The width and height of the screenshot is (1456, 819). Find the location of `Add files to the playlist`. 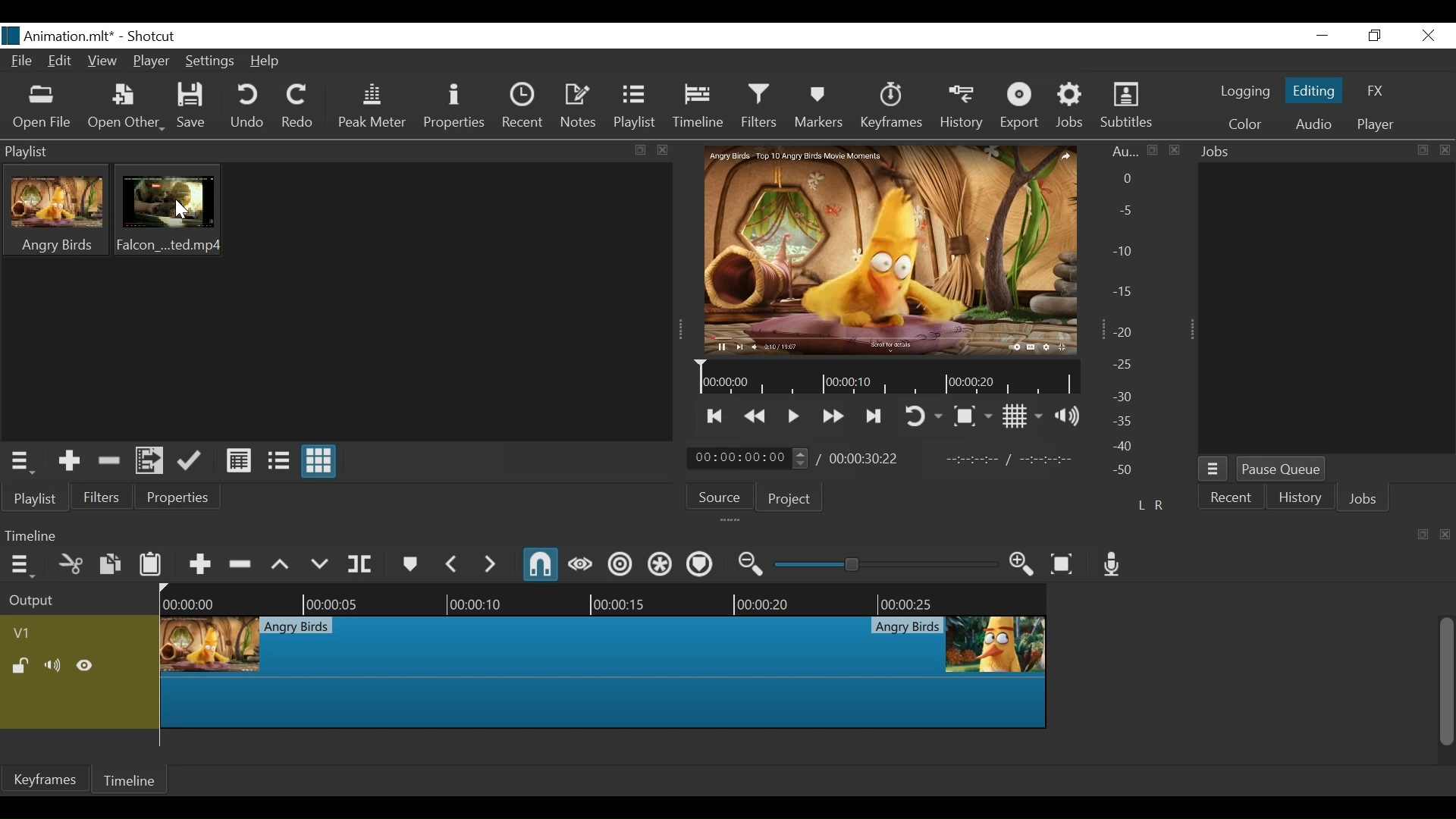

Add files to the playlist is located at coordinates (149, 460).